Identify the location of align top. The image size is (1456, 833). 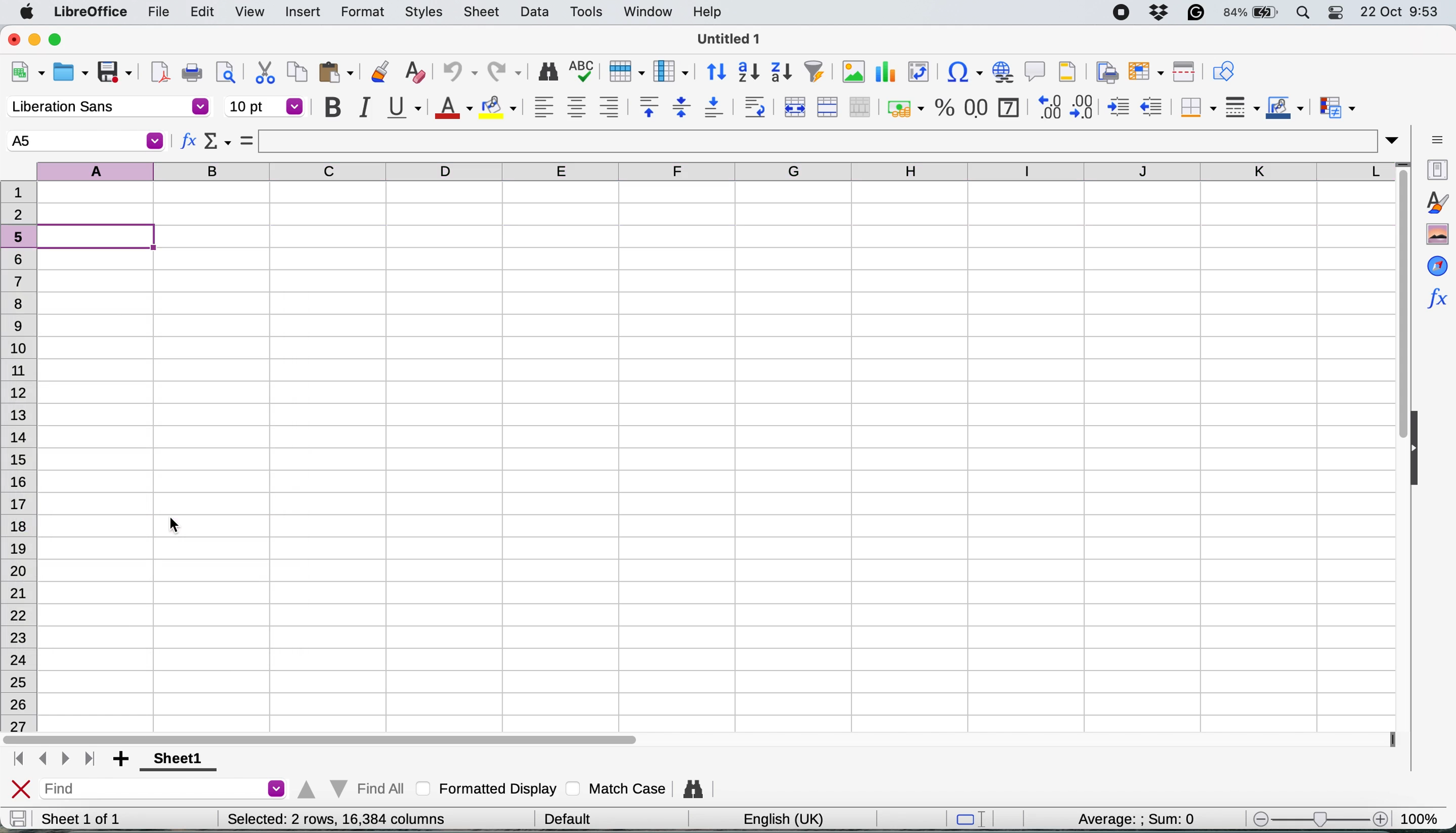
(649, 106).